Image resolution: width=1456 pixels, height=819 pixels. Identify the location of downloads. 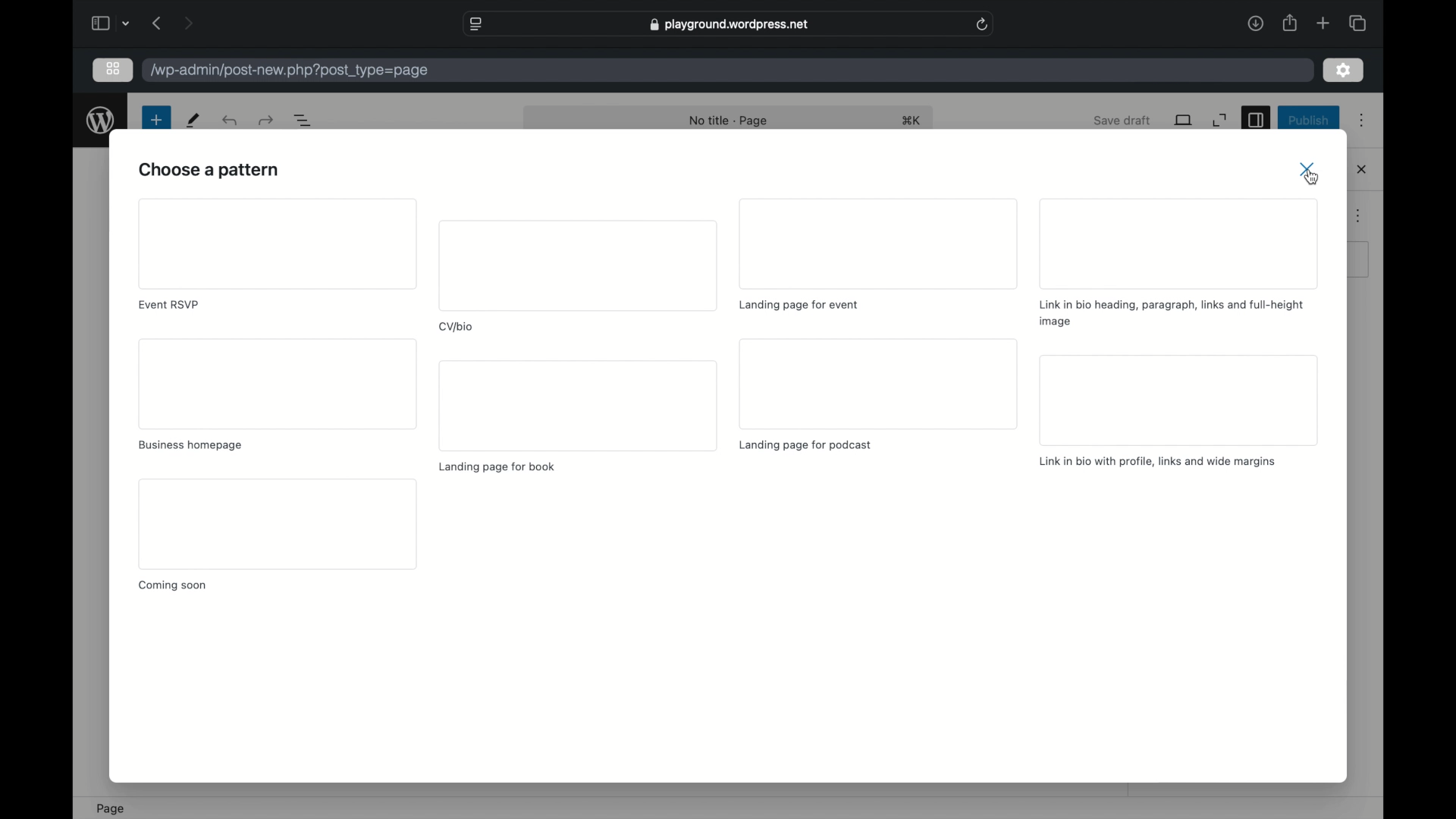
(1256, 24).